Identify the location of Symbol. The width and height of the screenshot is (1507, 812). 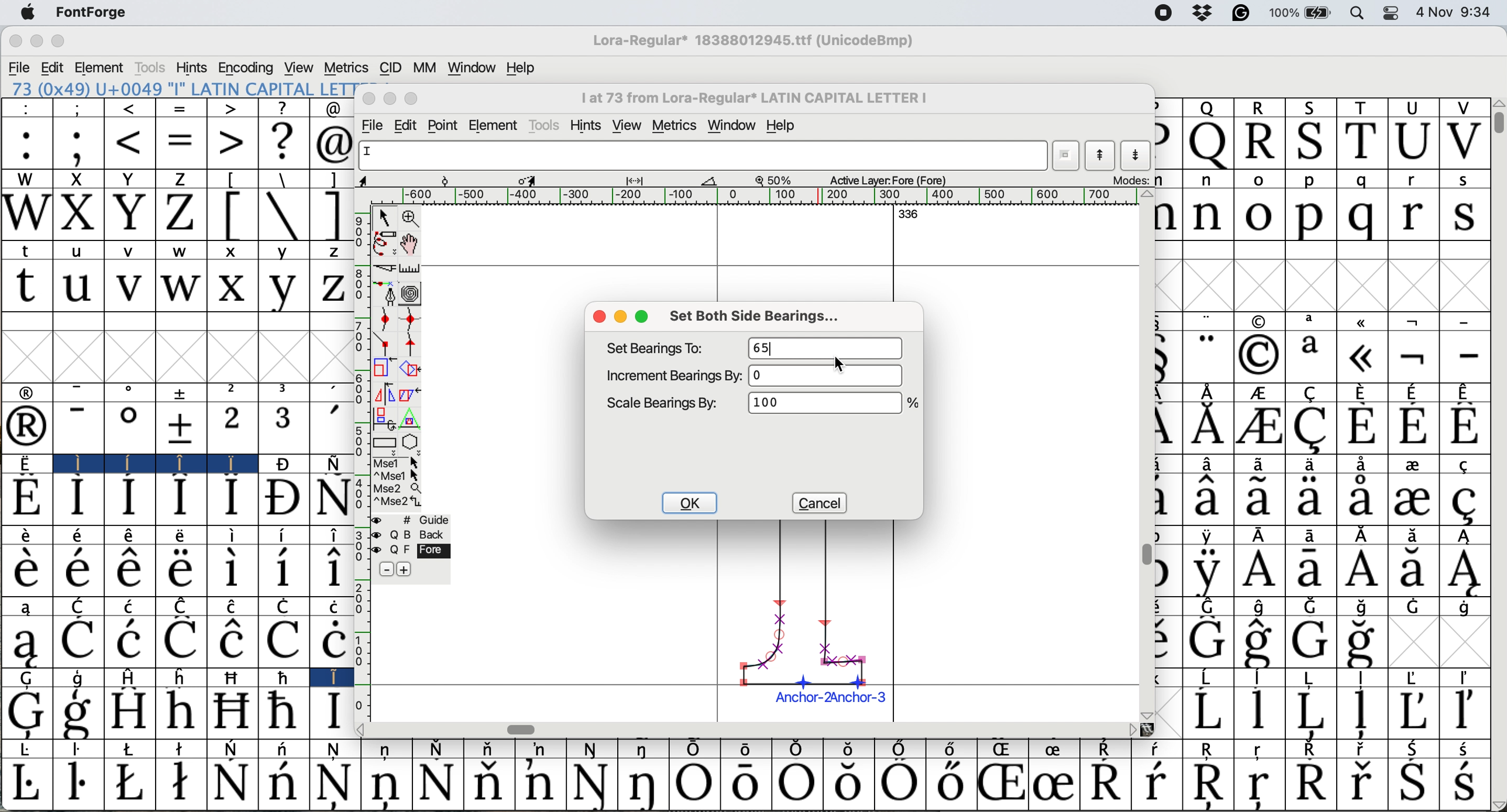
(1468, 677).